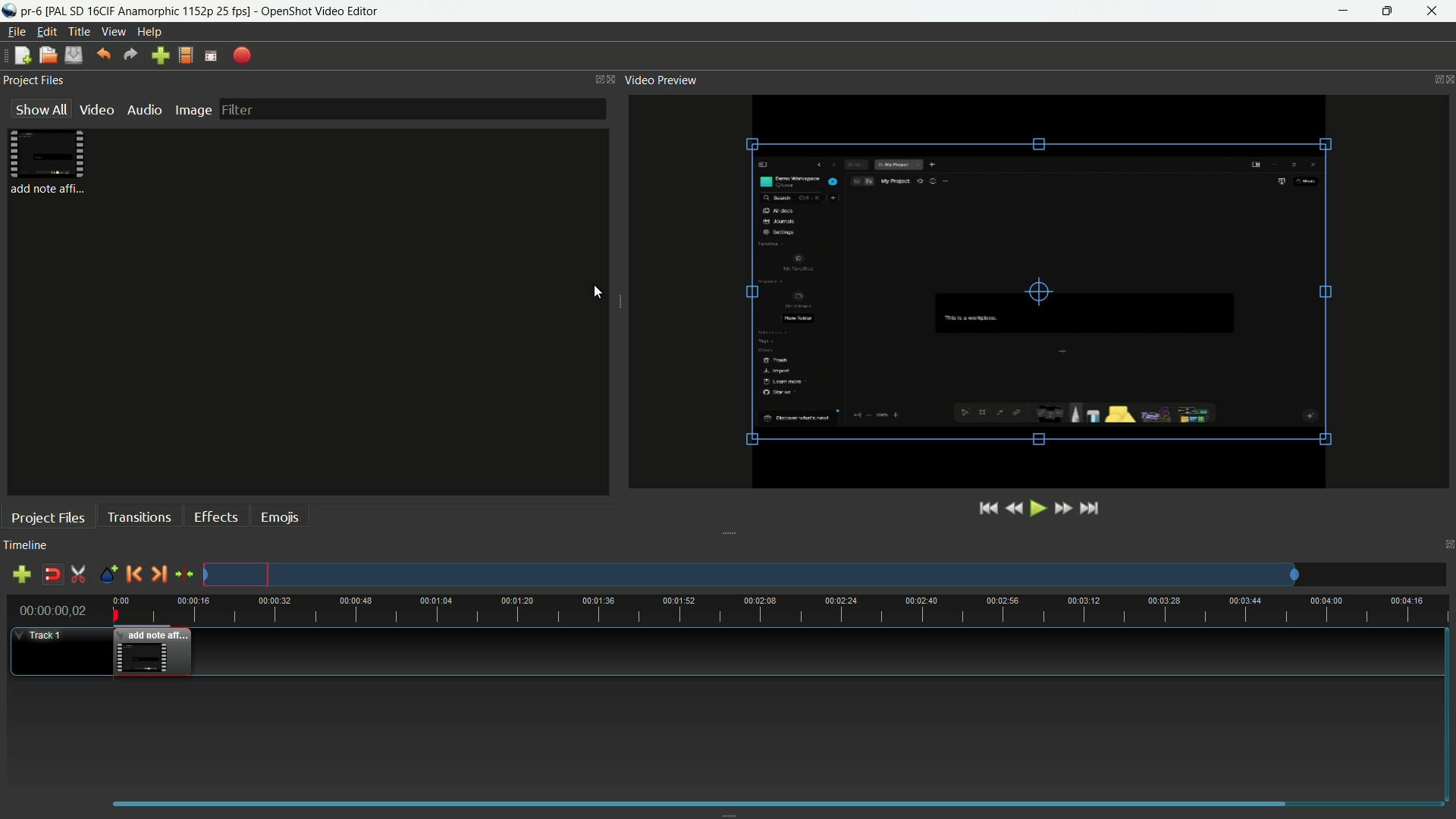 The width and height of the screenshot is (1456, 819). I want to click on create marker, so click(108, 575).